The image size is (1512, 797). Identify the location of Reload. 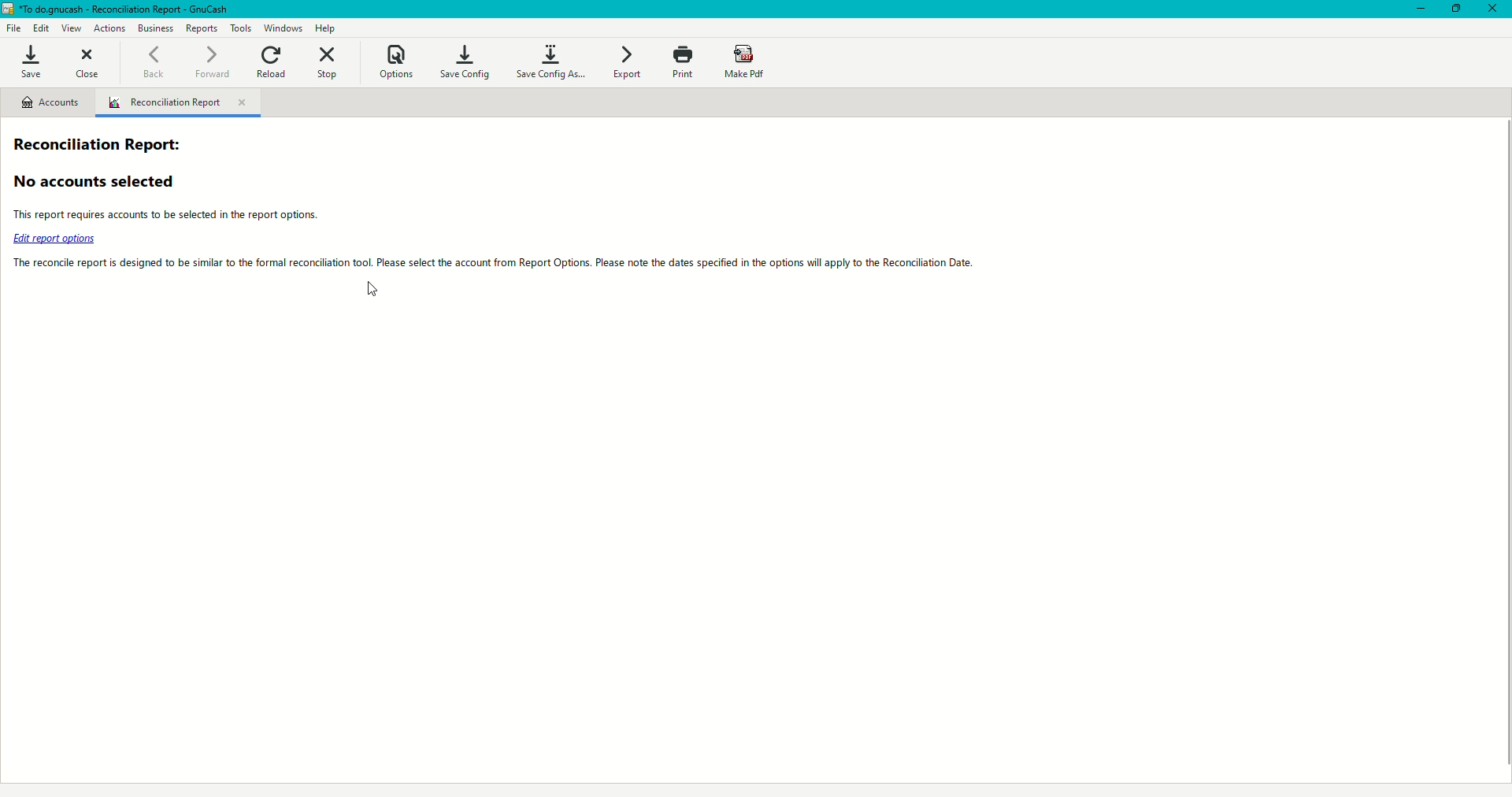
(269, 61).